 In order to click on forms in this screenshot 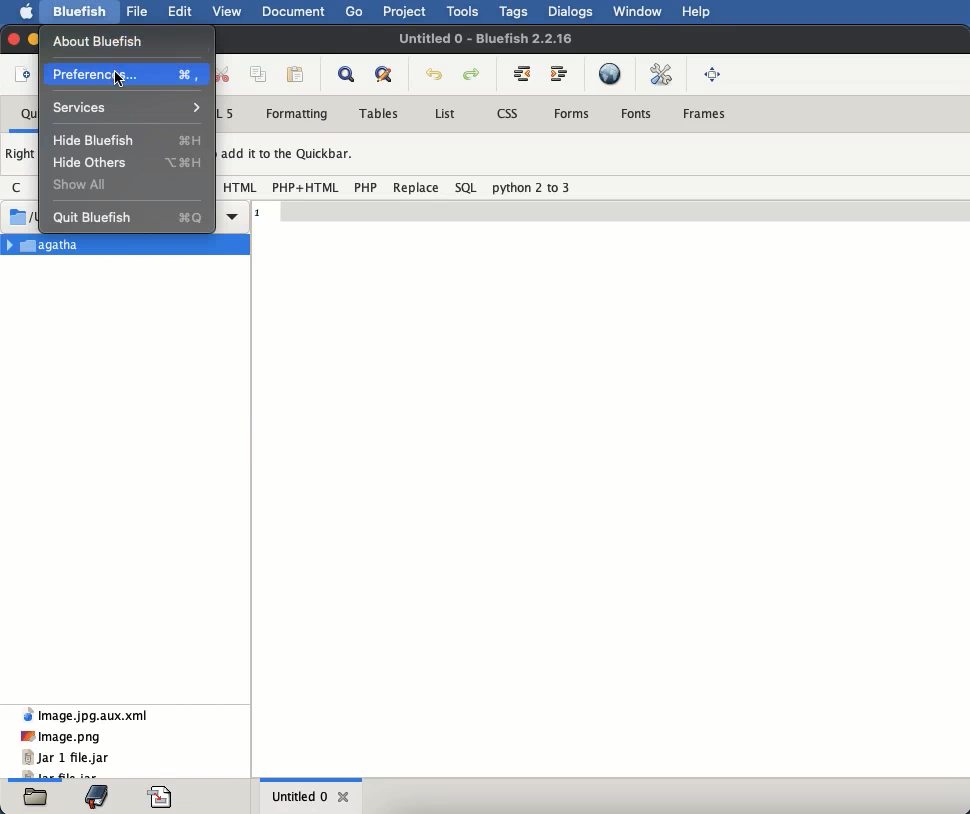, I will do `click(573, 112)`.